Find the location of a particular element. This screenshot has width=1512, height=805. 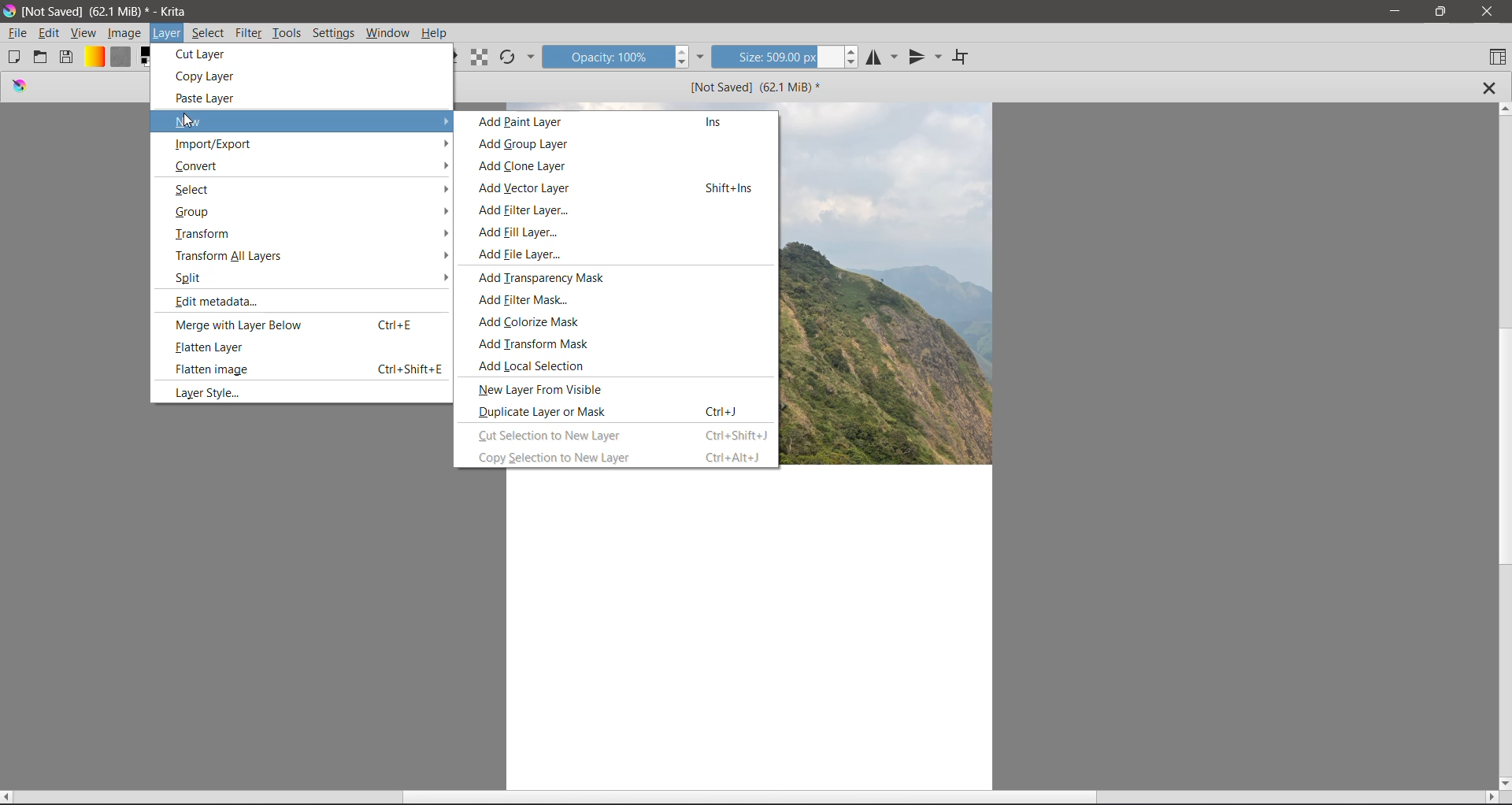

Choose Workspace is located at coordinates (1495, 57).